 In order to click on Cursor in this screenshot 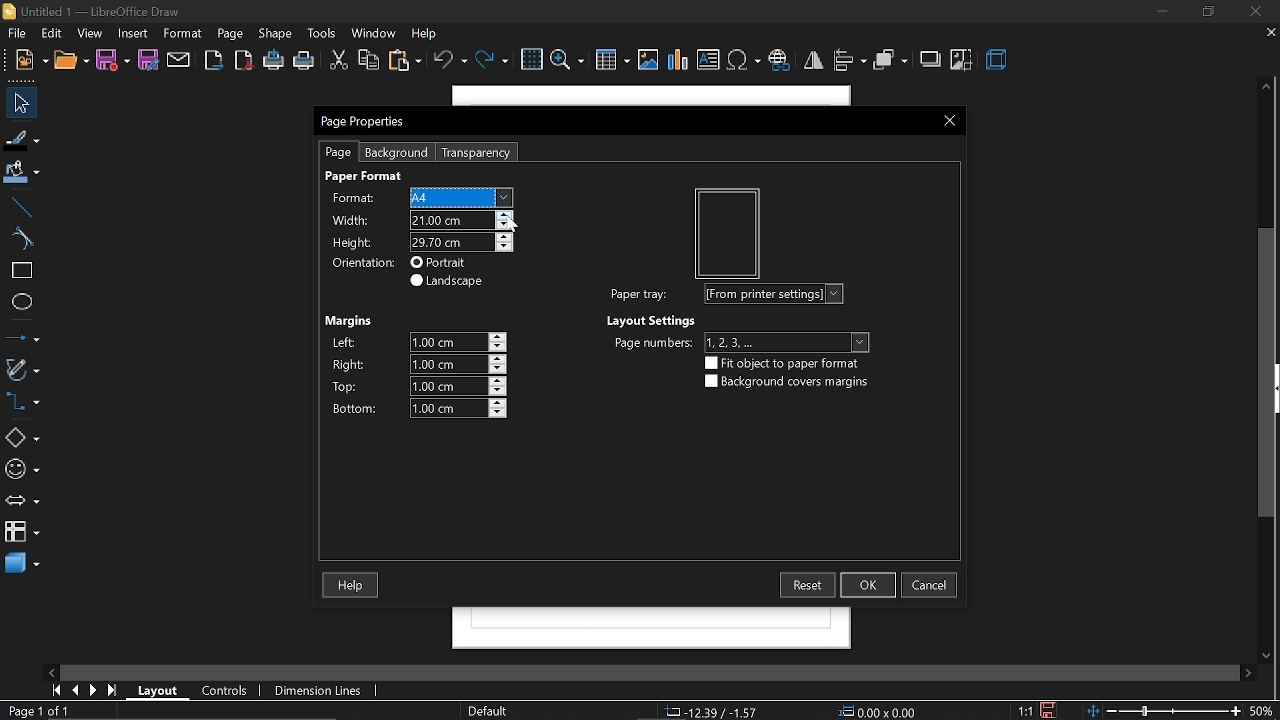, I will do `click(866, 590)`.